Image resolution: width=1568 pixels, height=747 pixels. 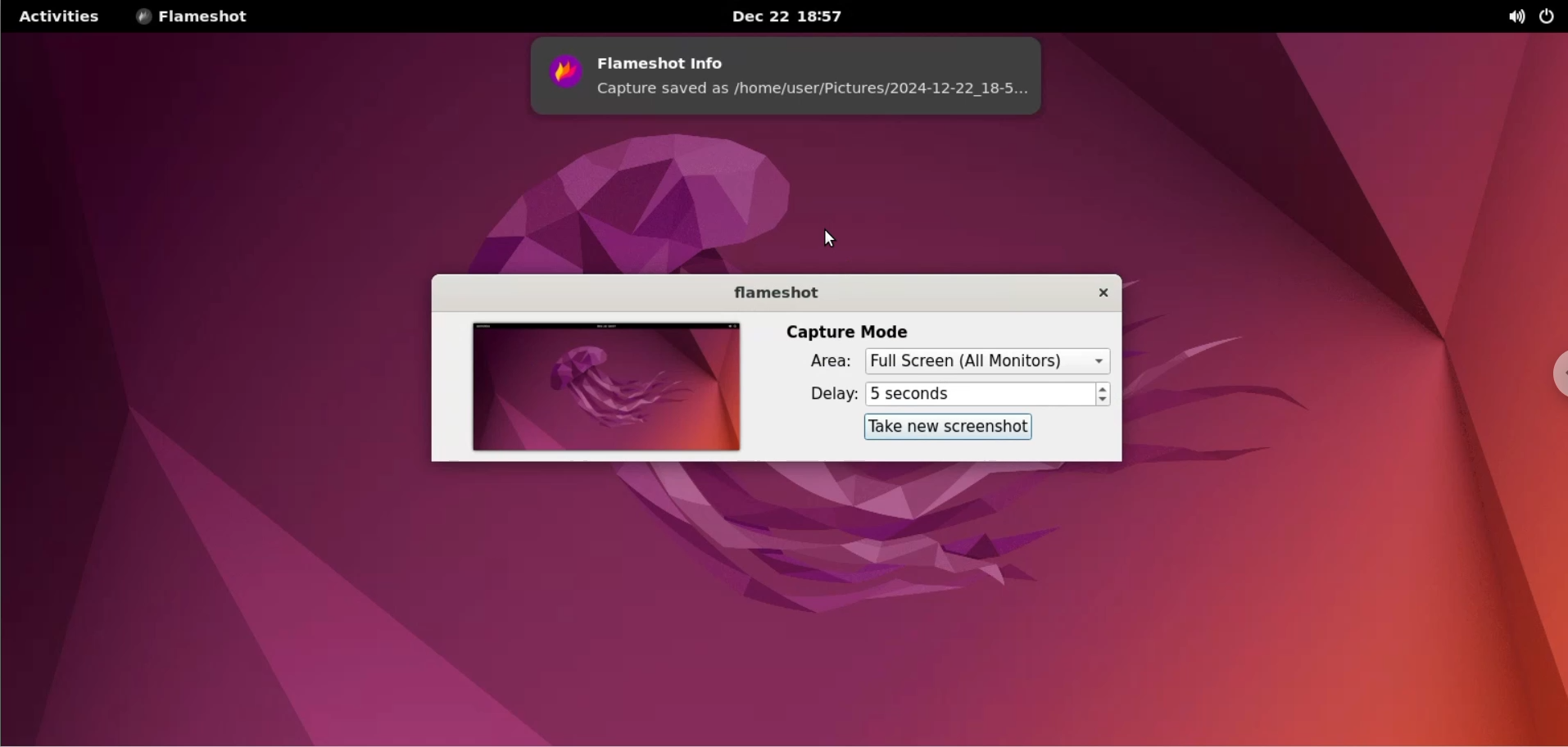 I want to click on sound options, so click(x=1519, y=16).